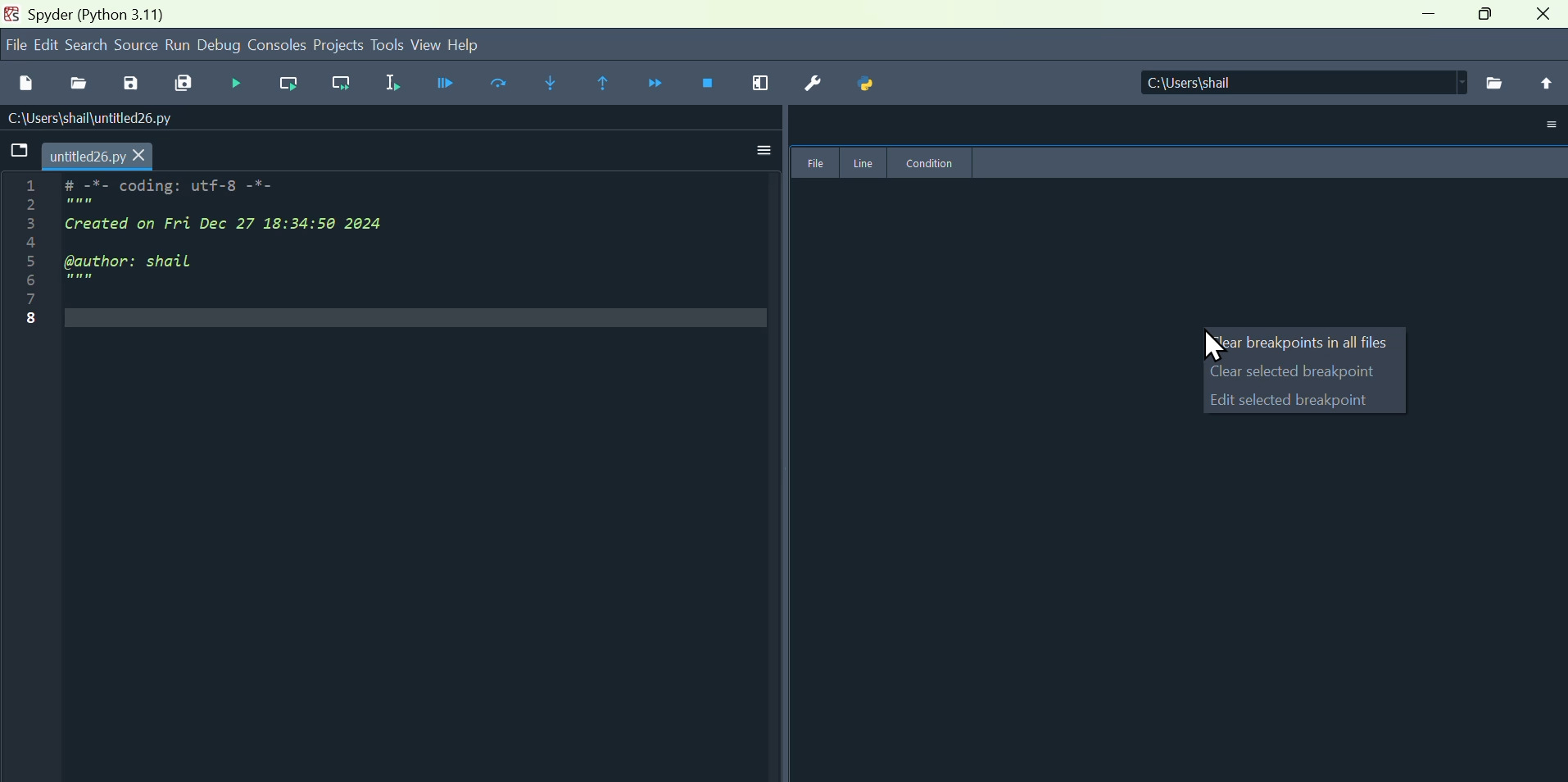 This screenshot has height=782, width=1568. I want to click on Move up, so click(1543, 84).